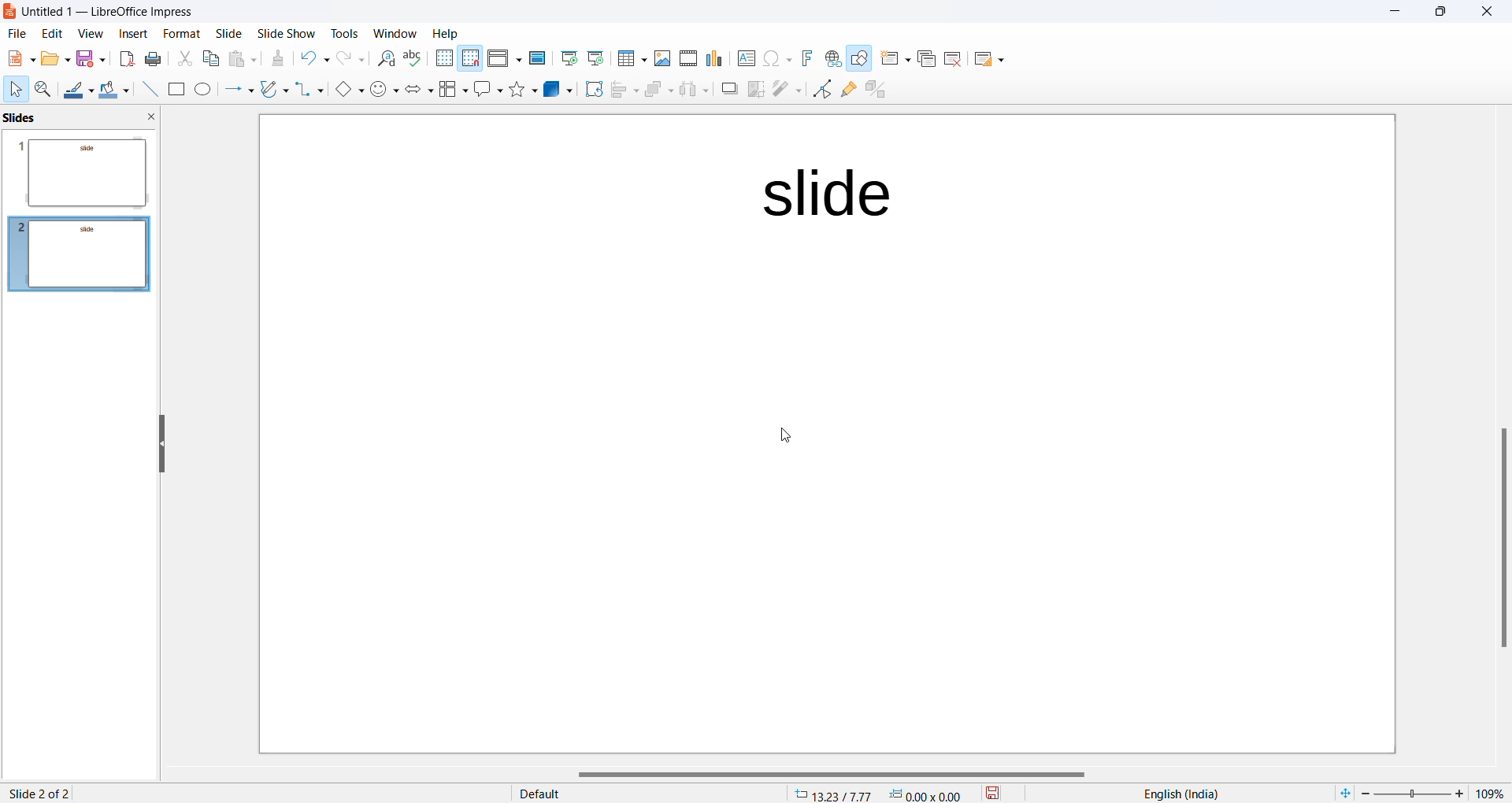 This screenshot has width=1512, height=803. I want to click on Insert hyperlink, so click(830, 59).